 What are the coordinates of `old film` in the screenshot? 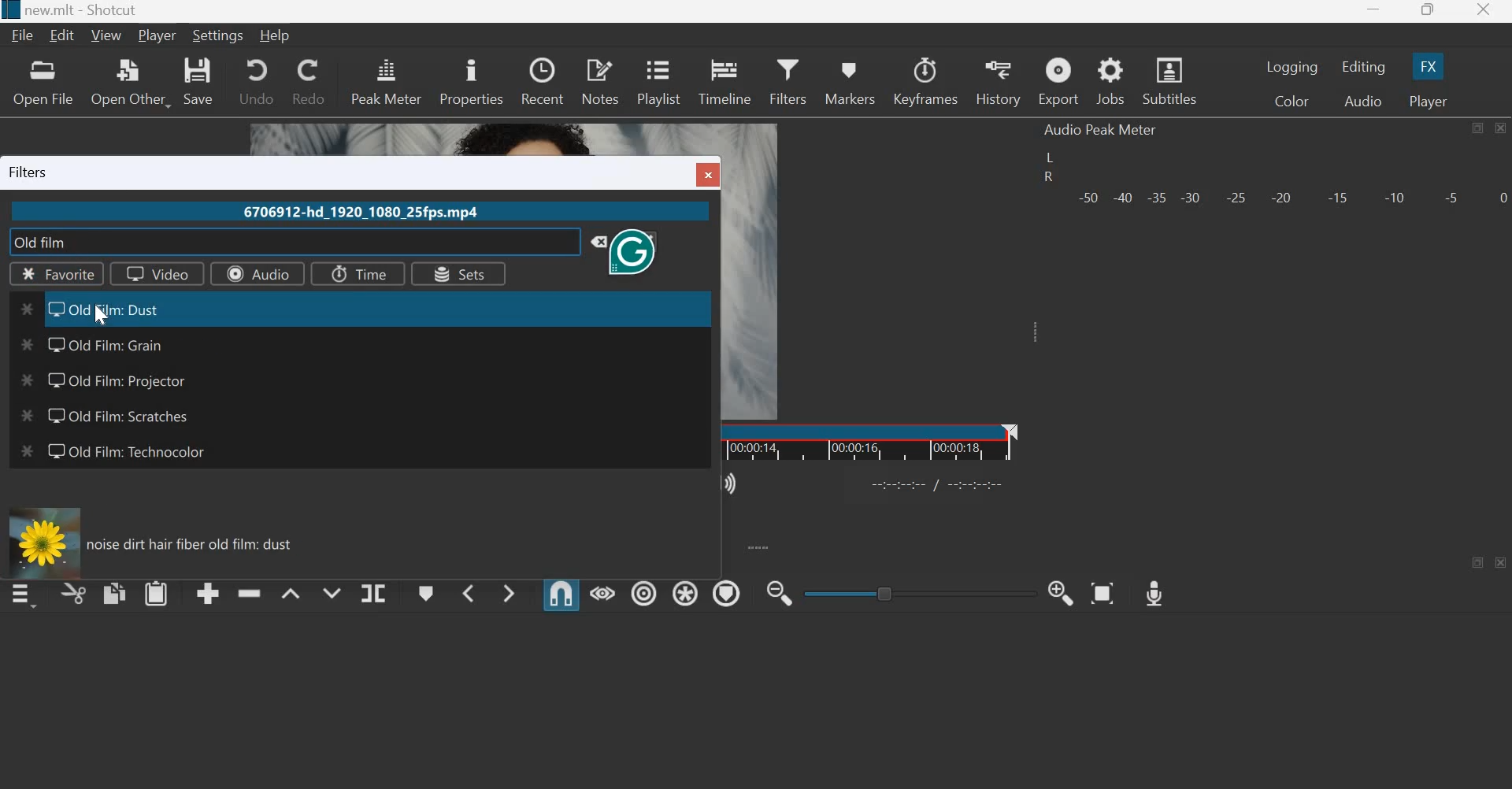 It's located at (43, 241).